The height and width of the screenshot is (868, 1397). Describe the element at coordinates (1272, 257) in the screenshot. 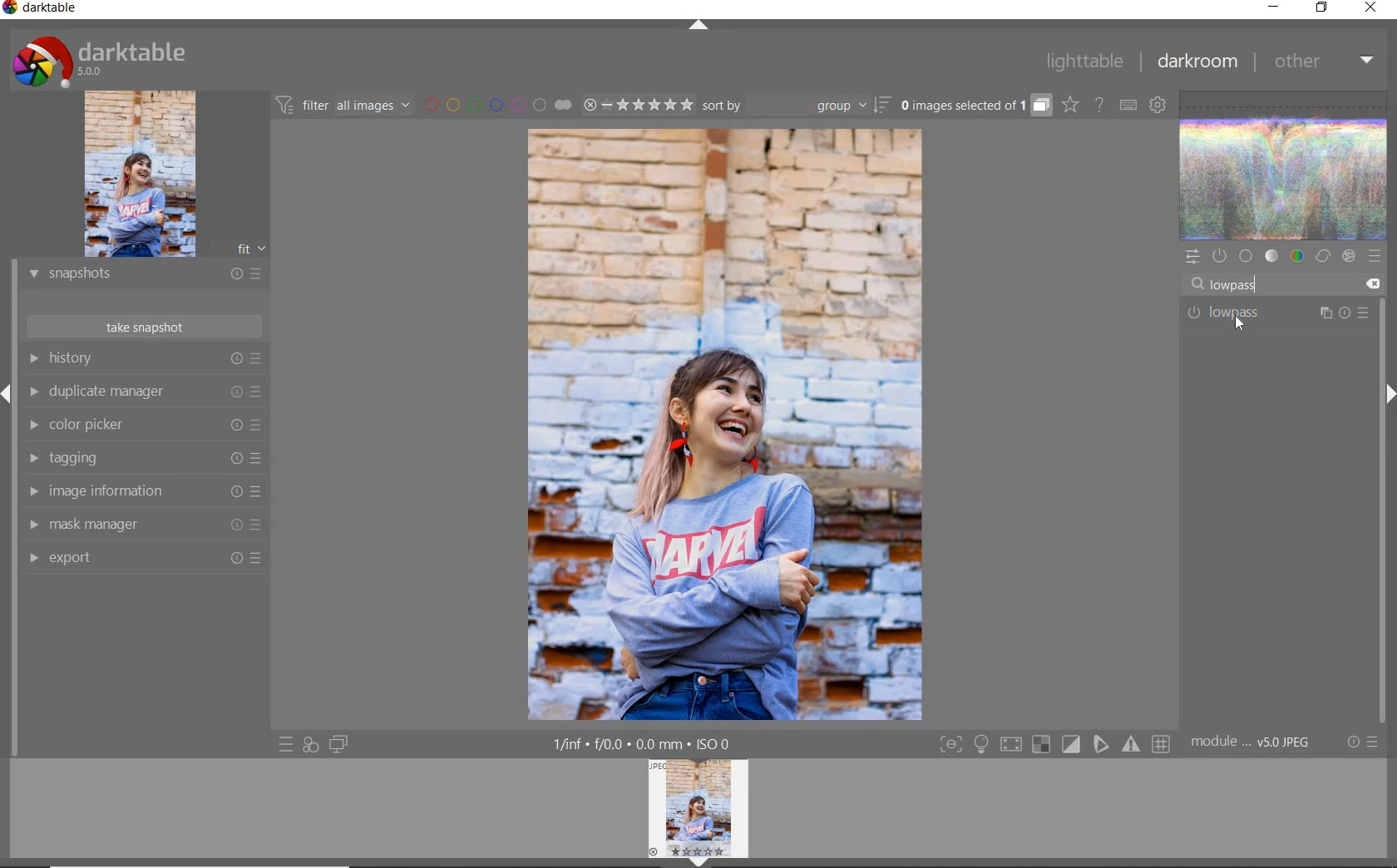

I see `tone` at that location.